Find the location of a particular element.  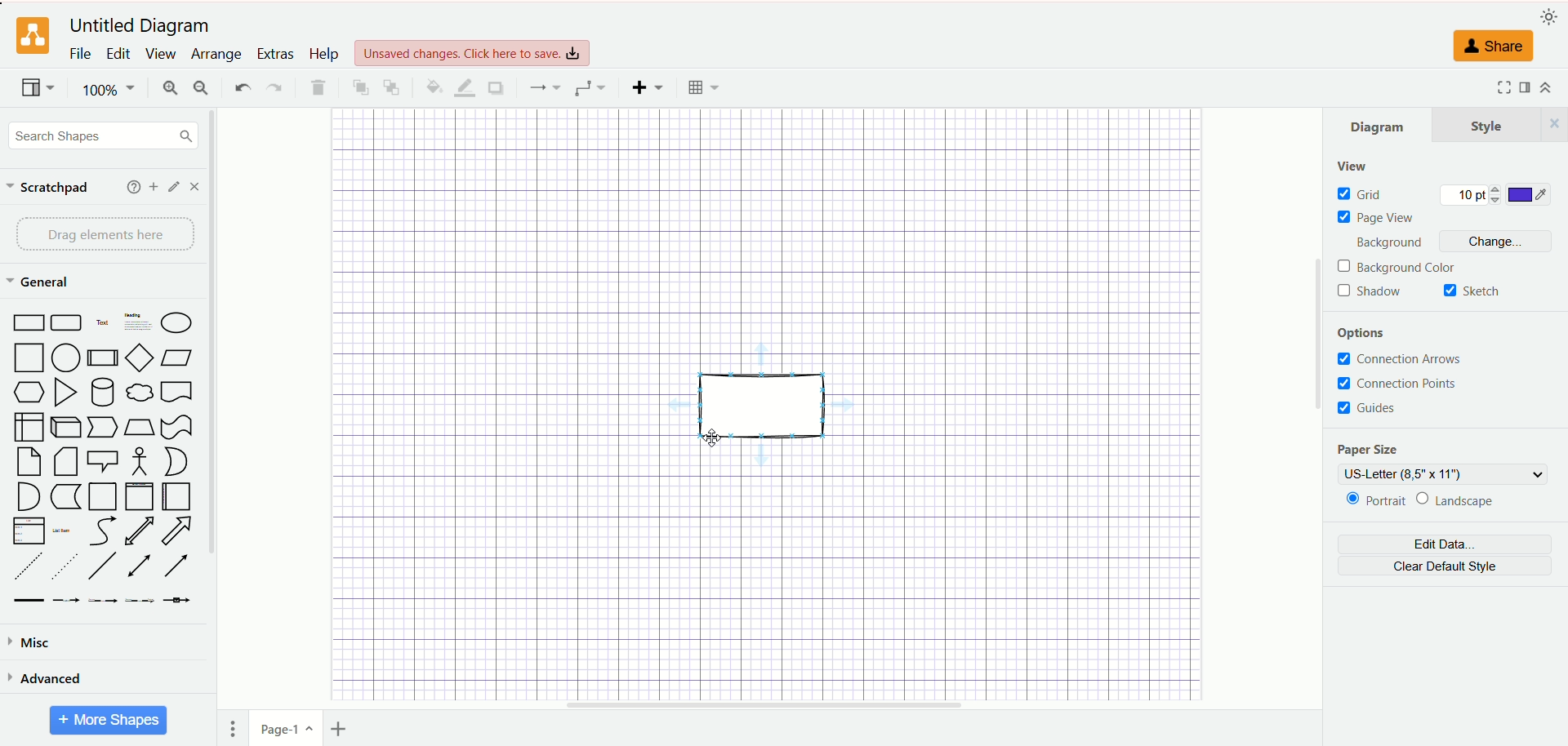

connection is located at coordinates (542, 87).